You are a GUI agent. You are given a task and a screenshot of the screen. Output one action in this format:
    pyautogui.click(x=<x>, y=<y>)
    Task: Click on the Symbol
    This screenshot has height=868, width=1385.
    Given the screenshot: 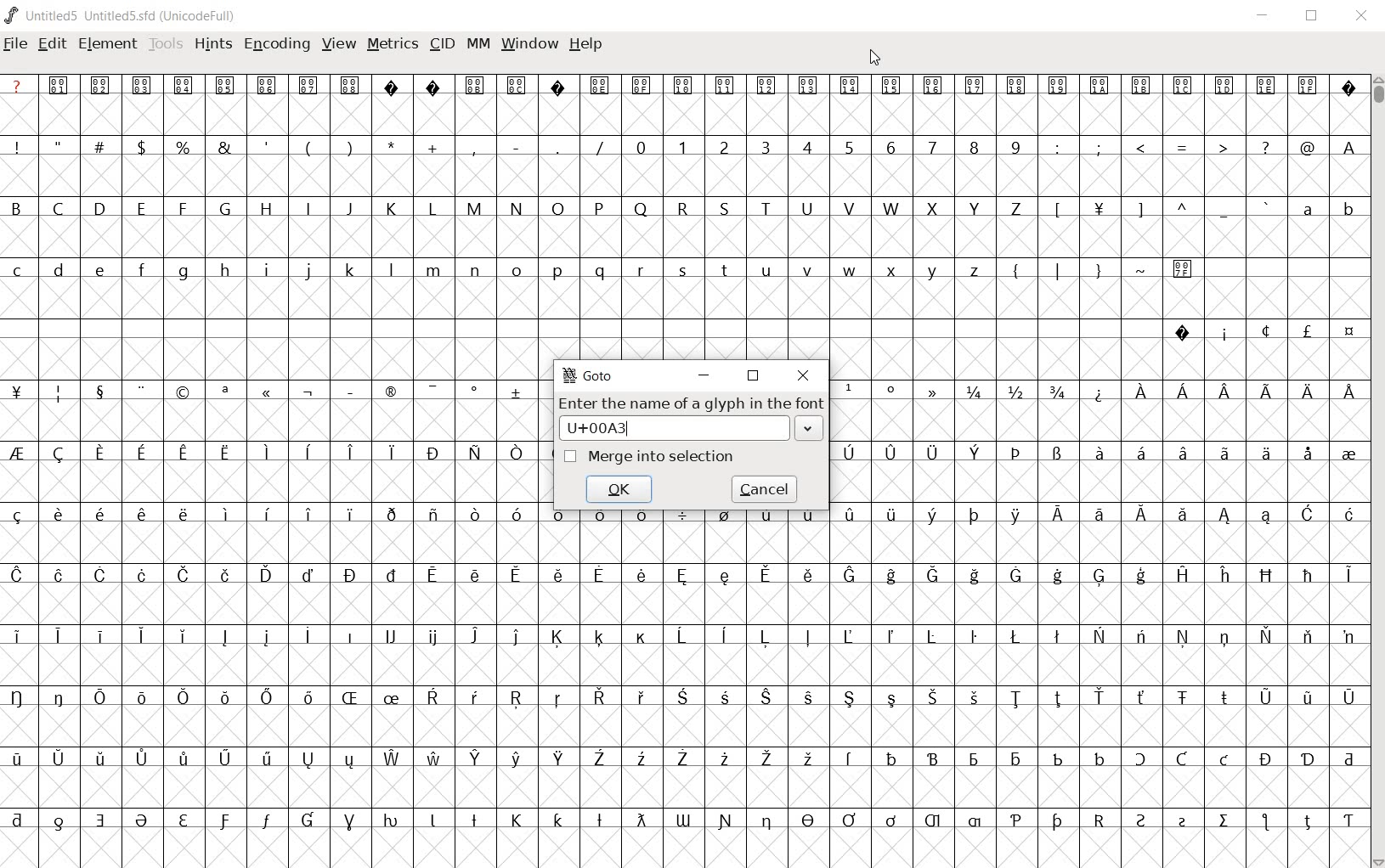 What is the action you would take?
    pyautogui.click(x=144, y=822)
    